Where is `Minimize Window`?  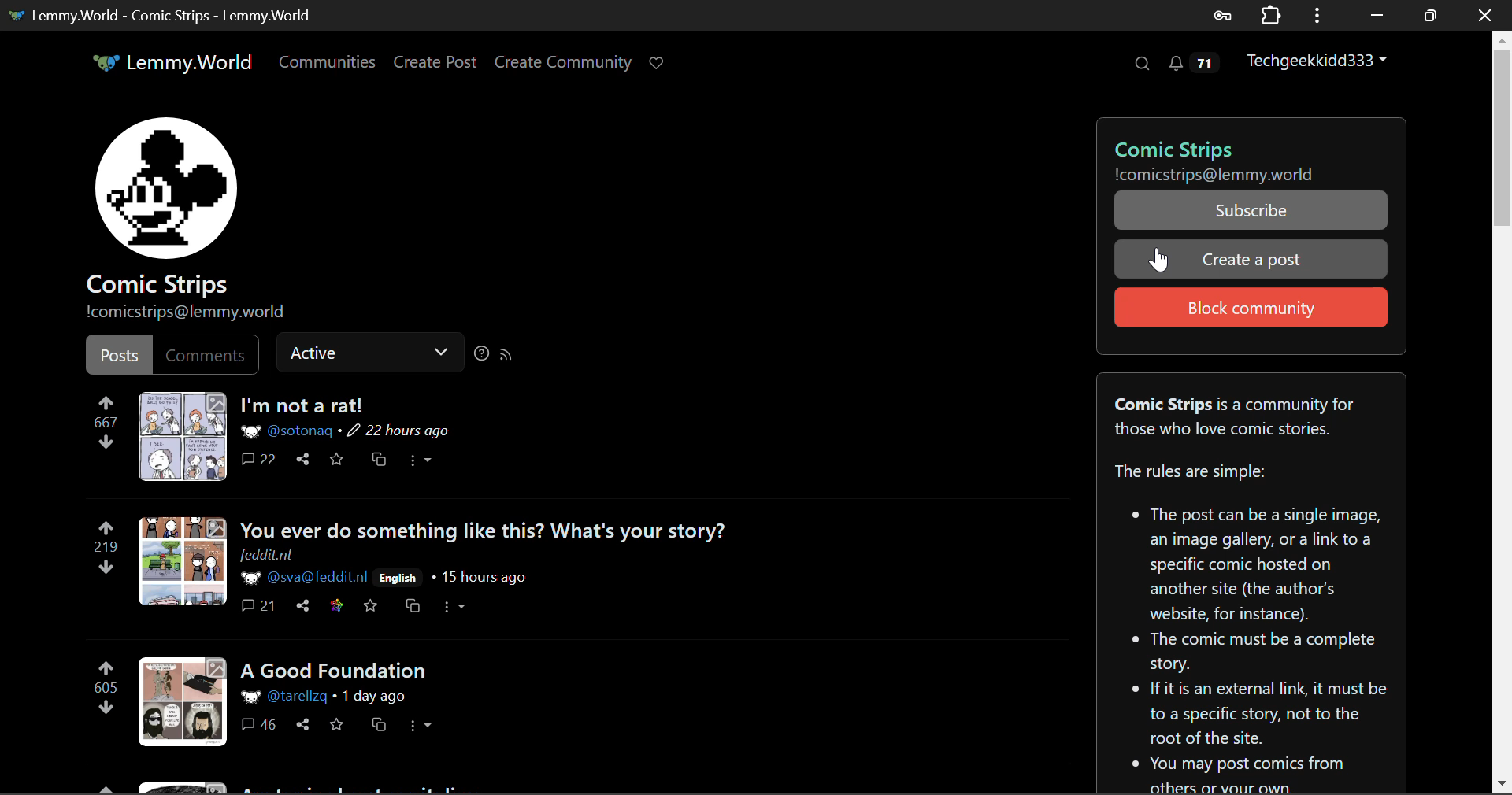 Minimize Window is located at coordinates (1430, 13).